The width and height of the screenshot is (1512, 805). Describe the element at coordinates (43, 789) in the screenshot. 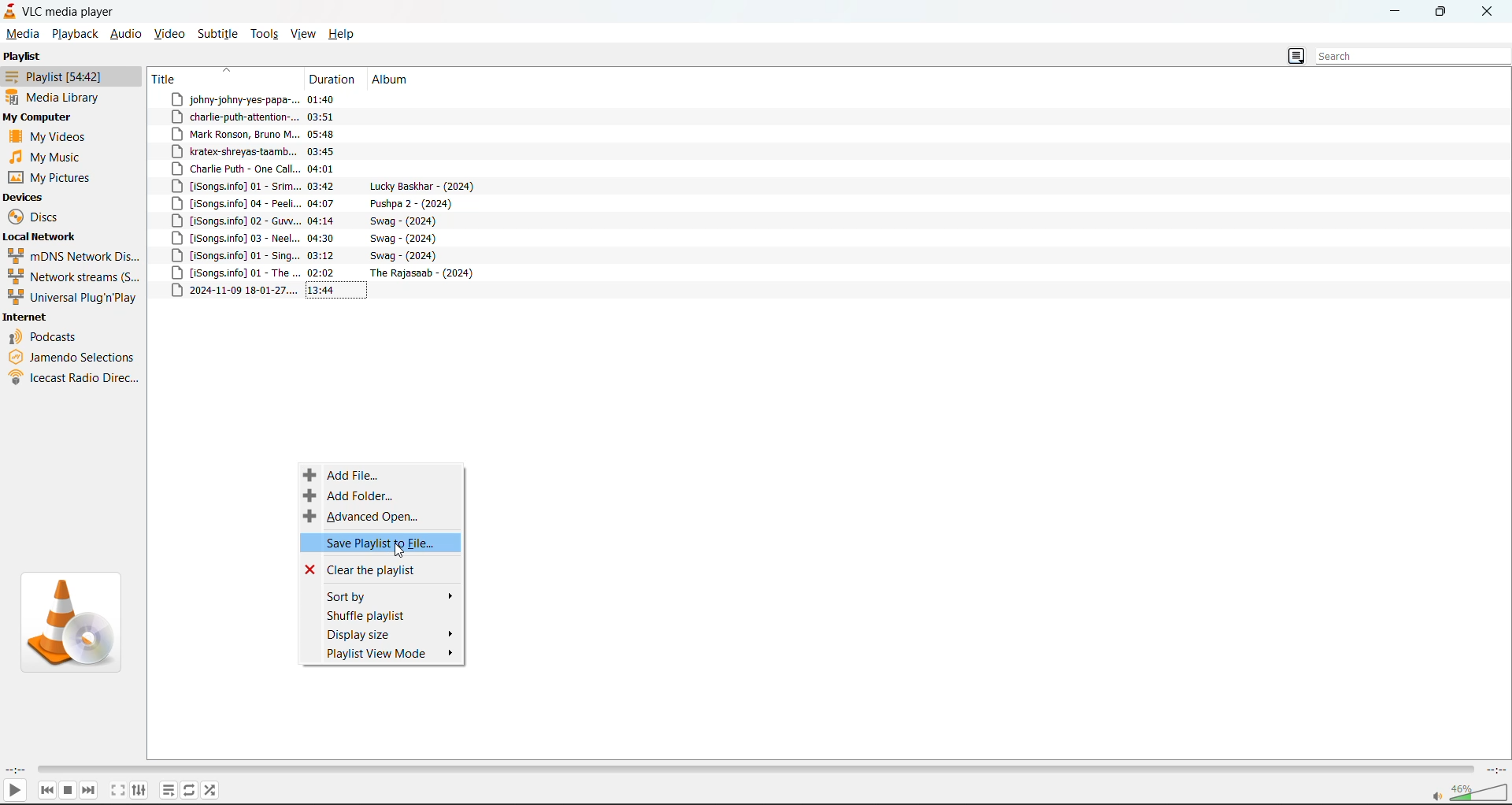

I see `previous` at that location.